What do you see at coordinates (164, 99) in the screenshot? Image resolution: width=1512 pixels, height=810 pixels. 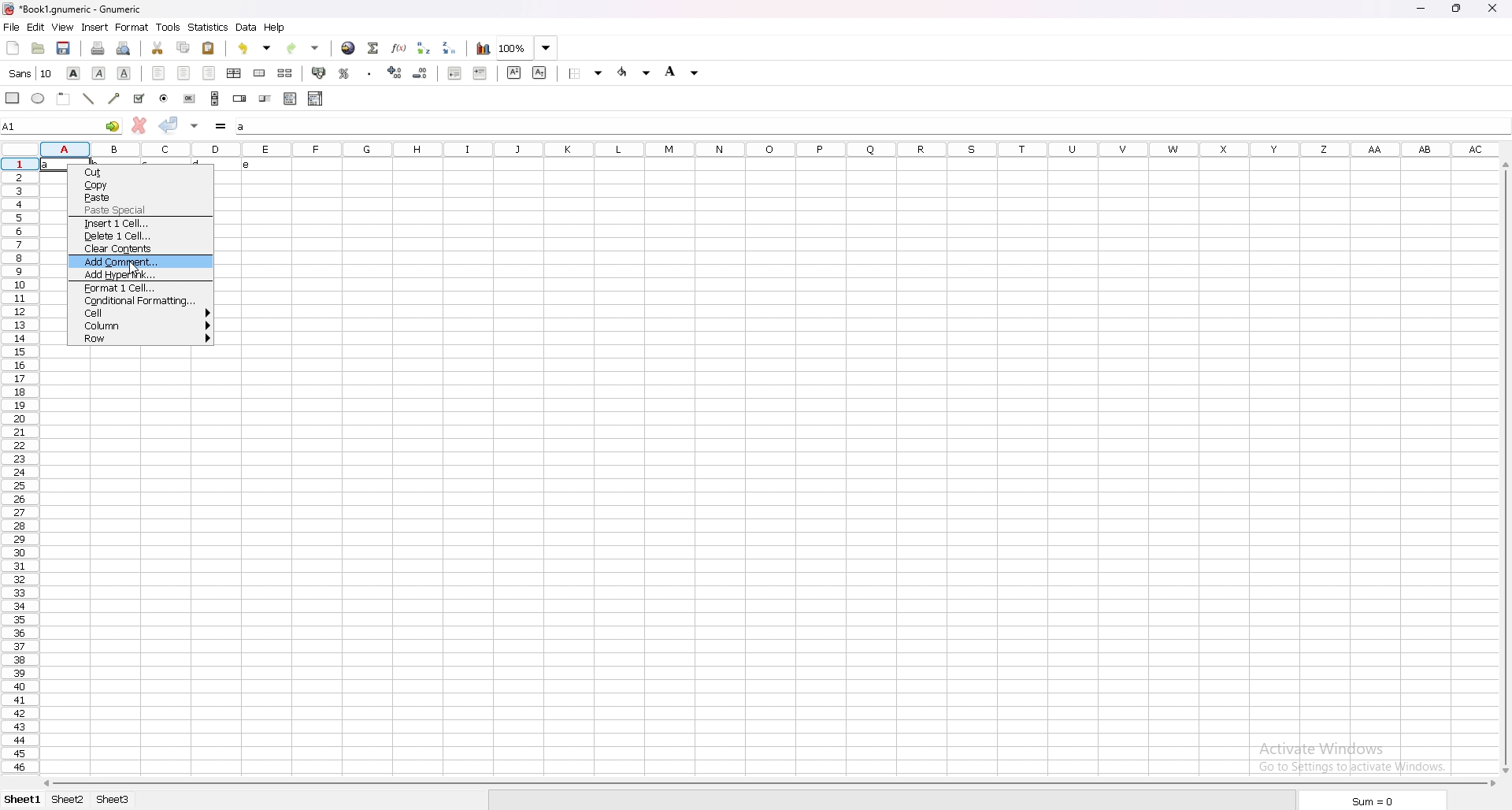 I see `radio button` at bounding box center [164, 99].